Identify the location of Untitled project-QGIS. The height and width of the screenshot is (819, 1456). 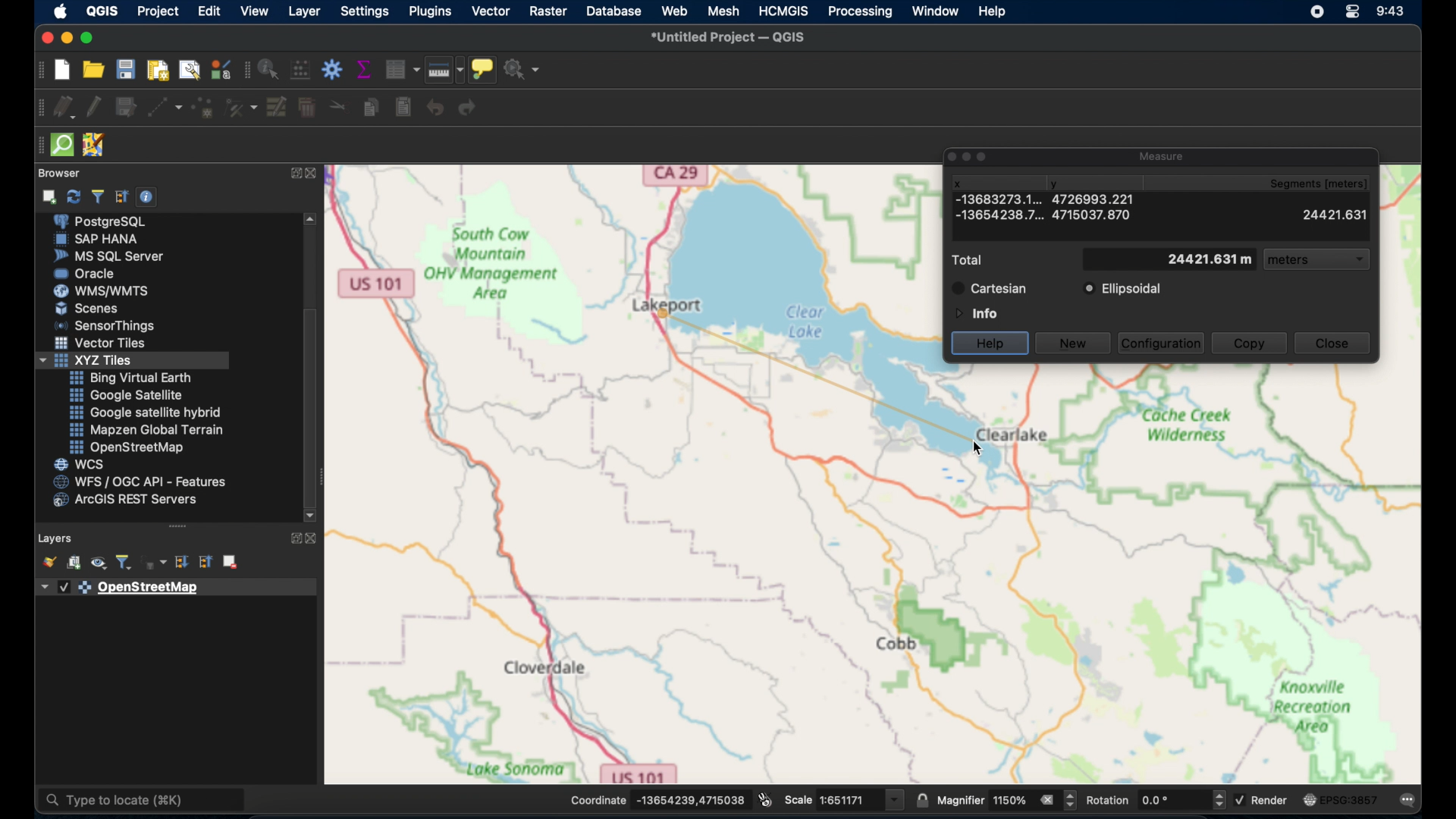
(730, 36).